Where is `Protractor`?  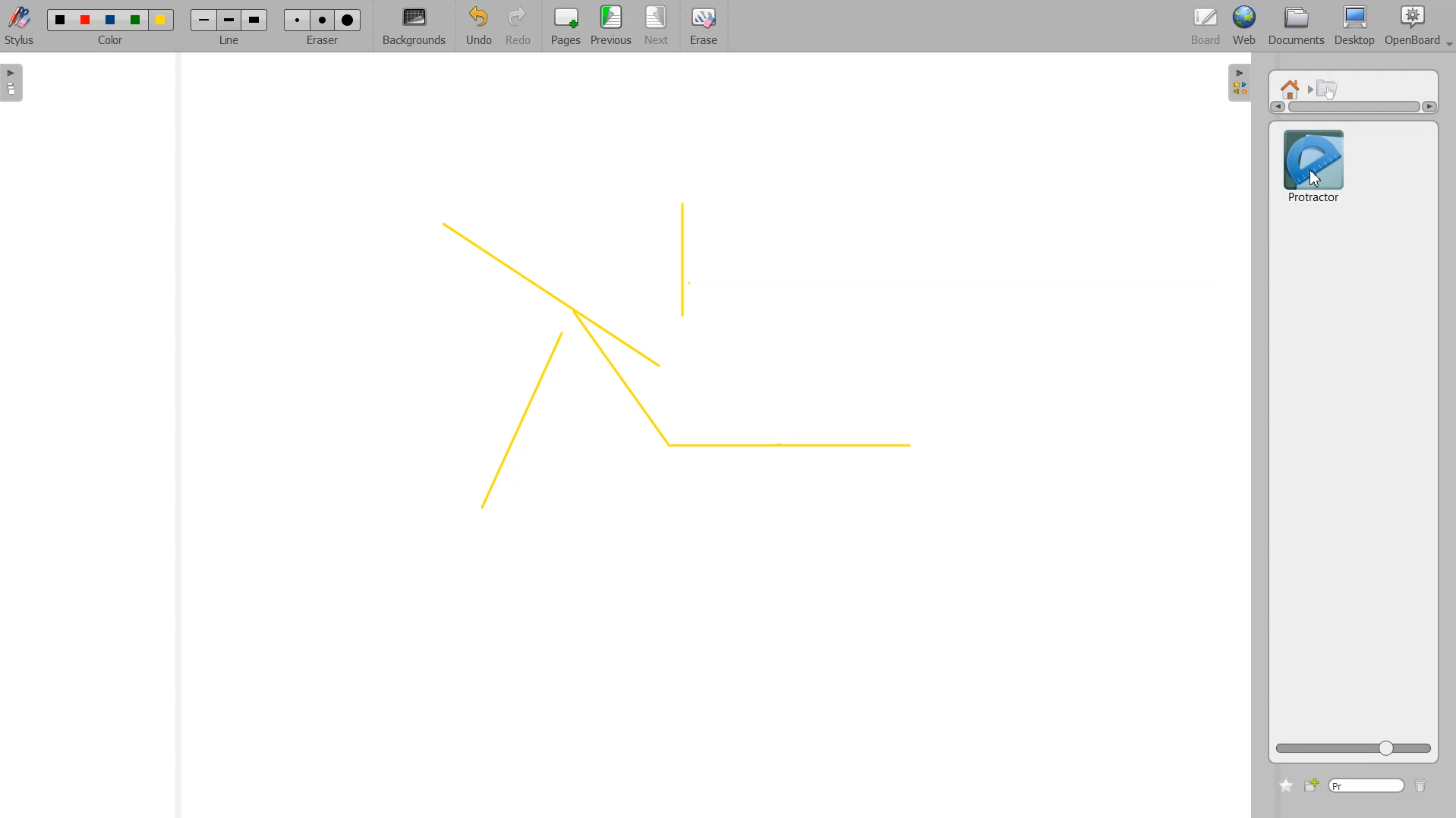 Protractor is located at coordinates (1313, 164).